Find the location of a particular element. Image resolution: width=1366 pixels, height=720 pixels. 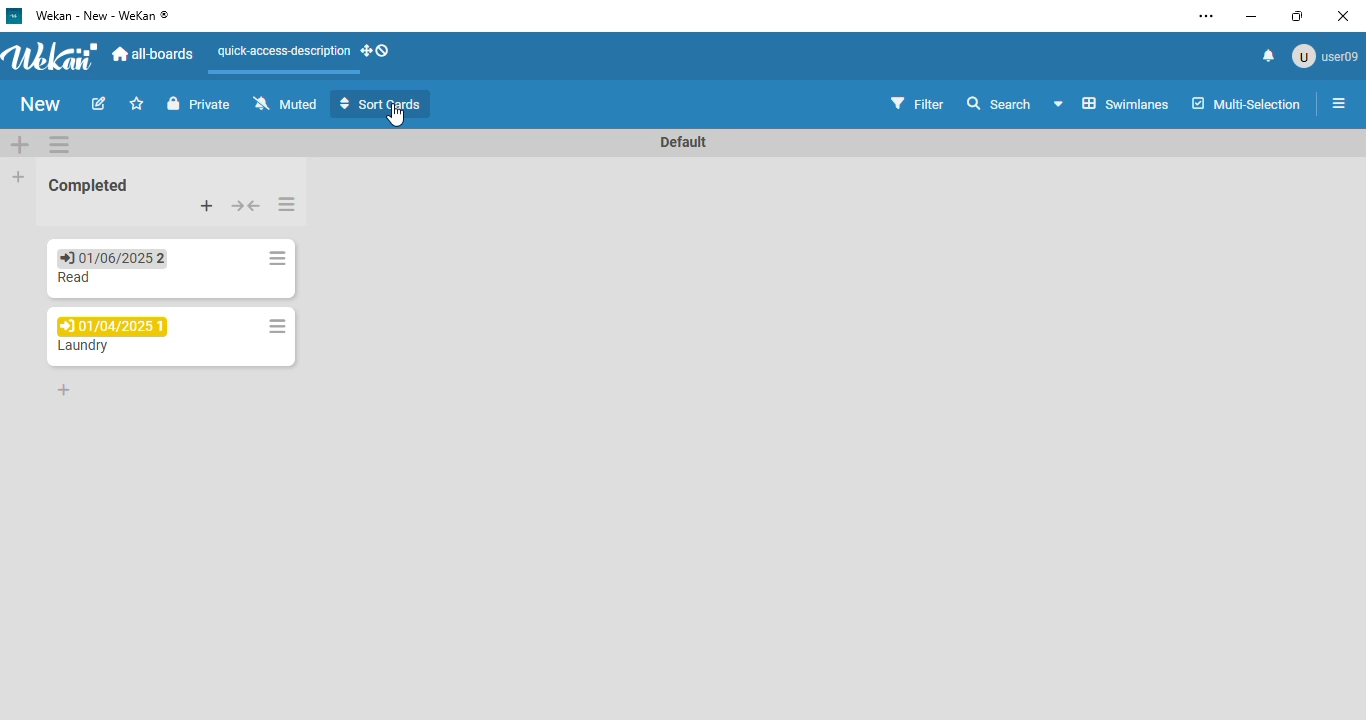

list actions is located at coordinates (275, 258).